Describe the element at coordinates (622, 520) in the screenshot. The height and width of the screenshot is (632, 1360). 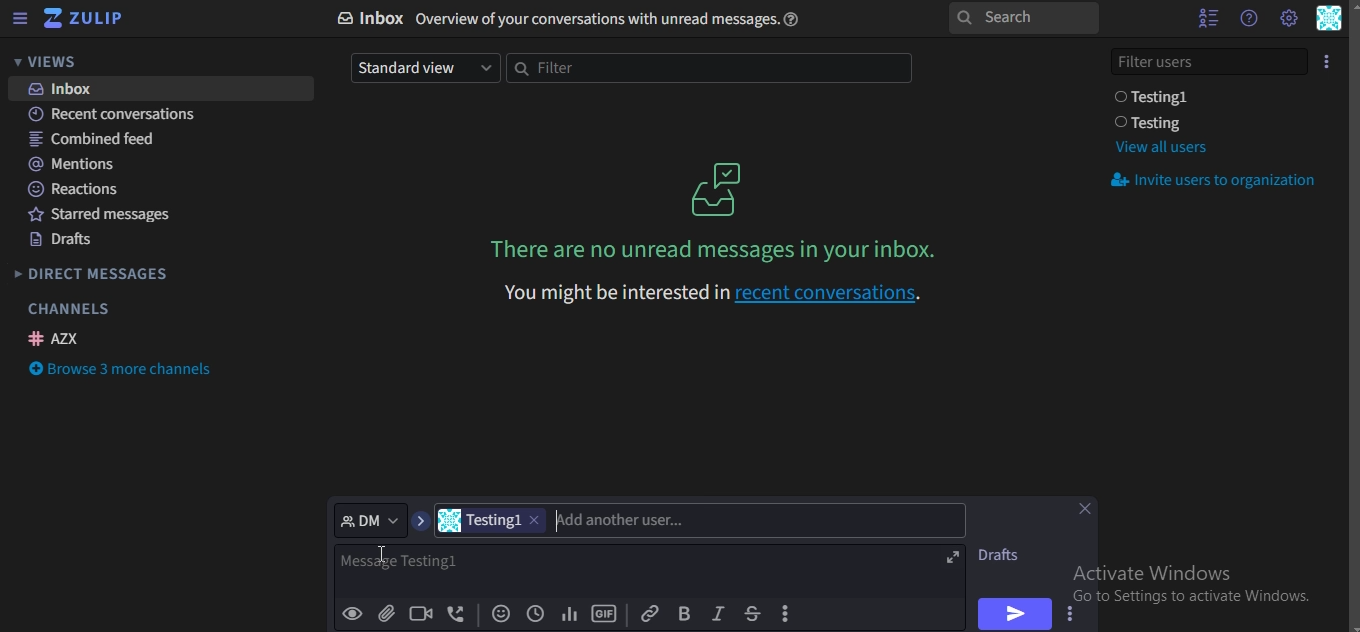
I see `add another user..` at that location.